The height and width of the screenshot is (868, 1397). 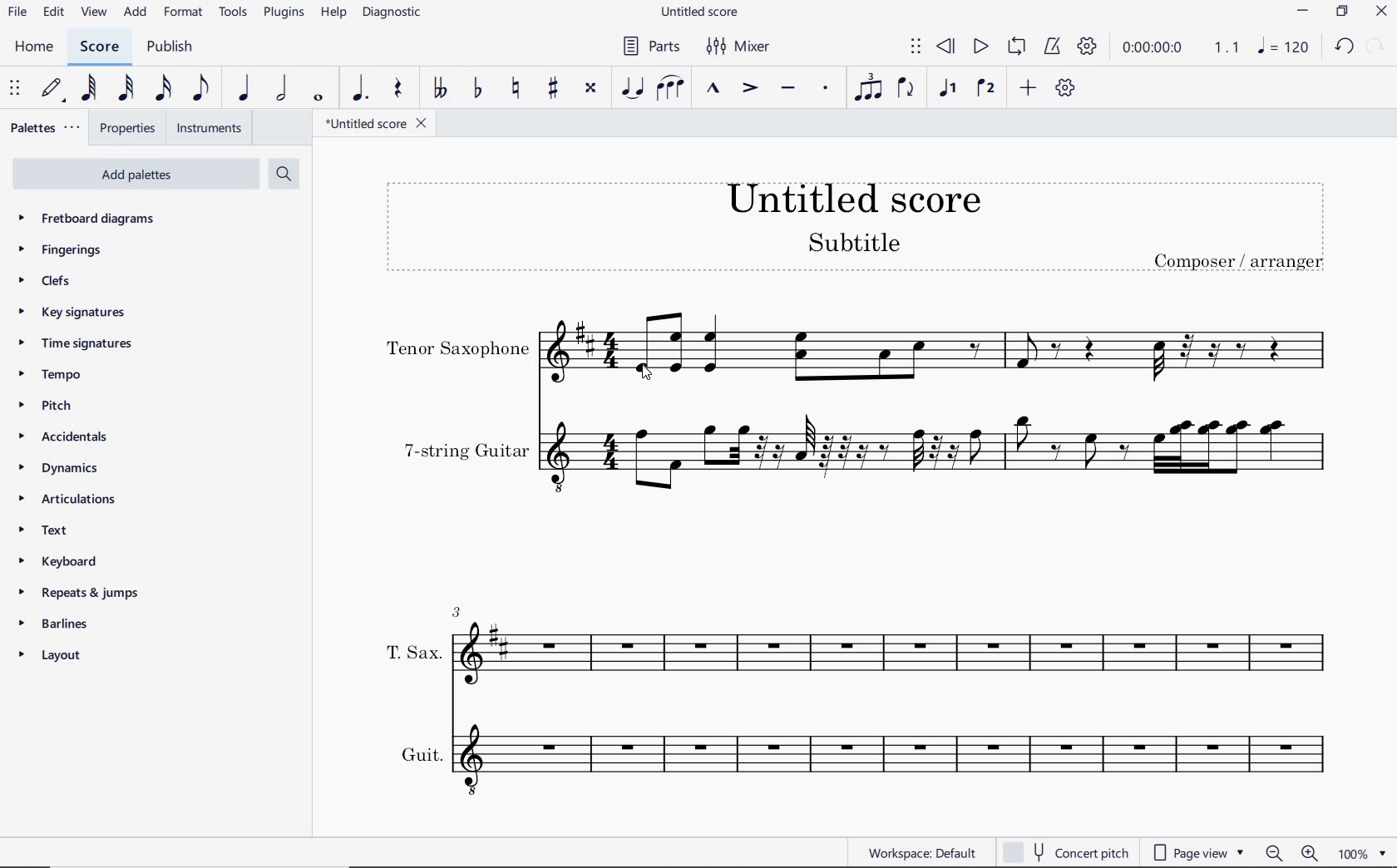 What do you see at coordinates (857, 348) in the screenshot?
I see `INSTRUMENT: TENOR SAXOPHONE` at bounding box center [857, 348].